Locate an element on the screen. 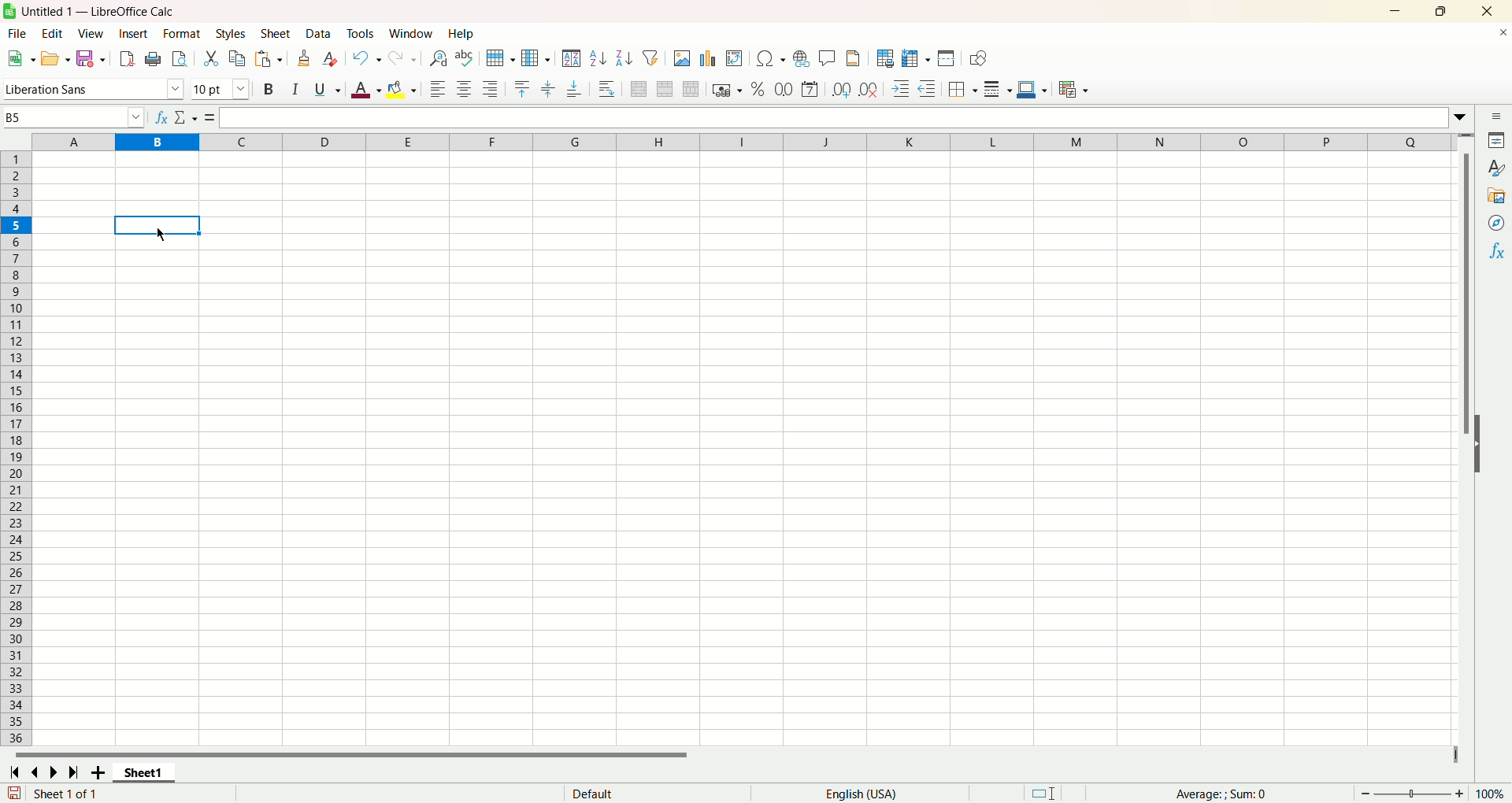  copy is located at coordinates (237, 60).